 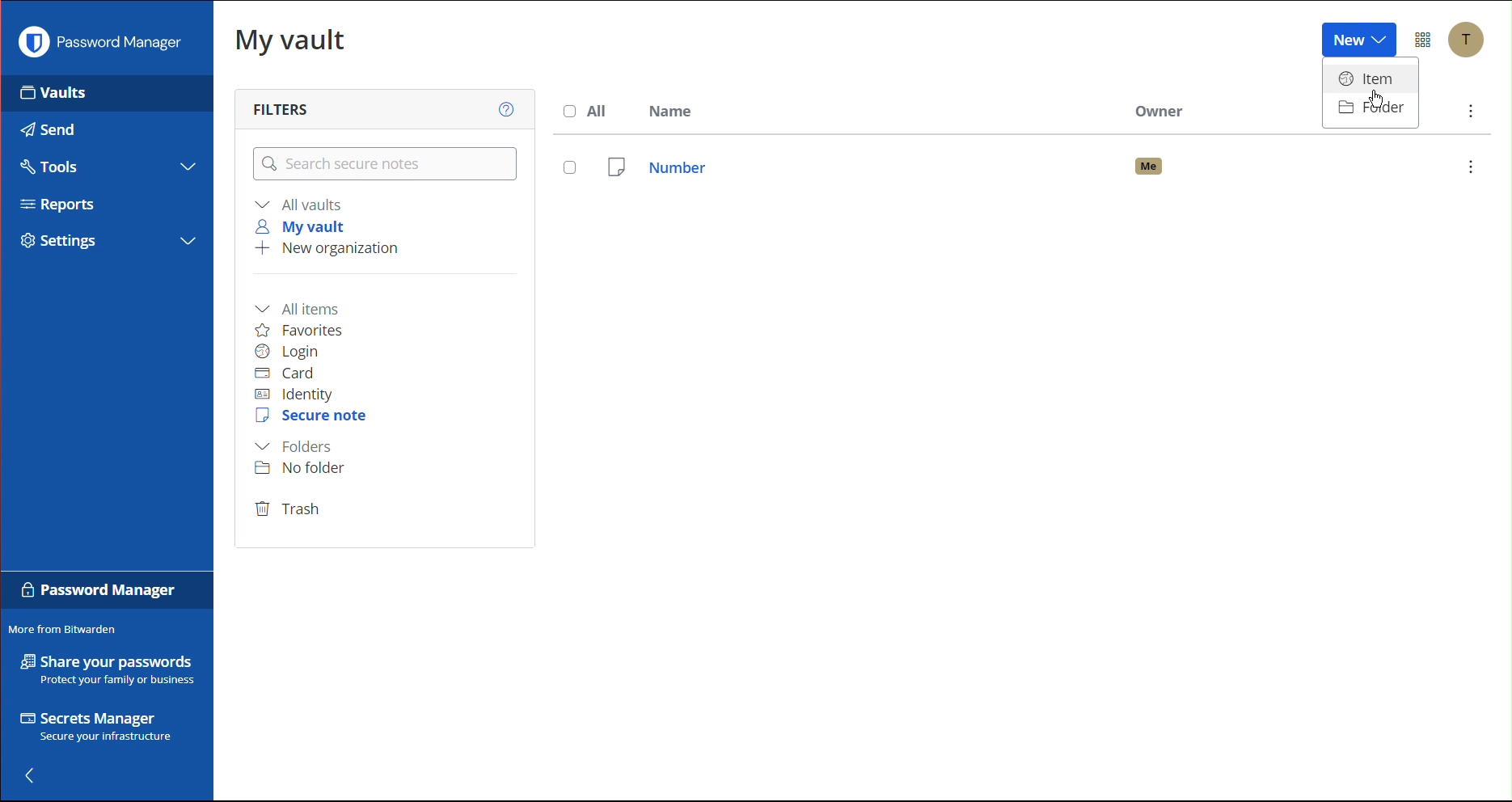 I want to click on More, so click(x=1472, y=113).